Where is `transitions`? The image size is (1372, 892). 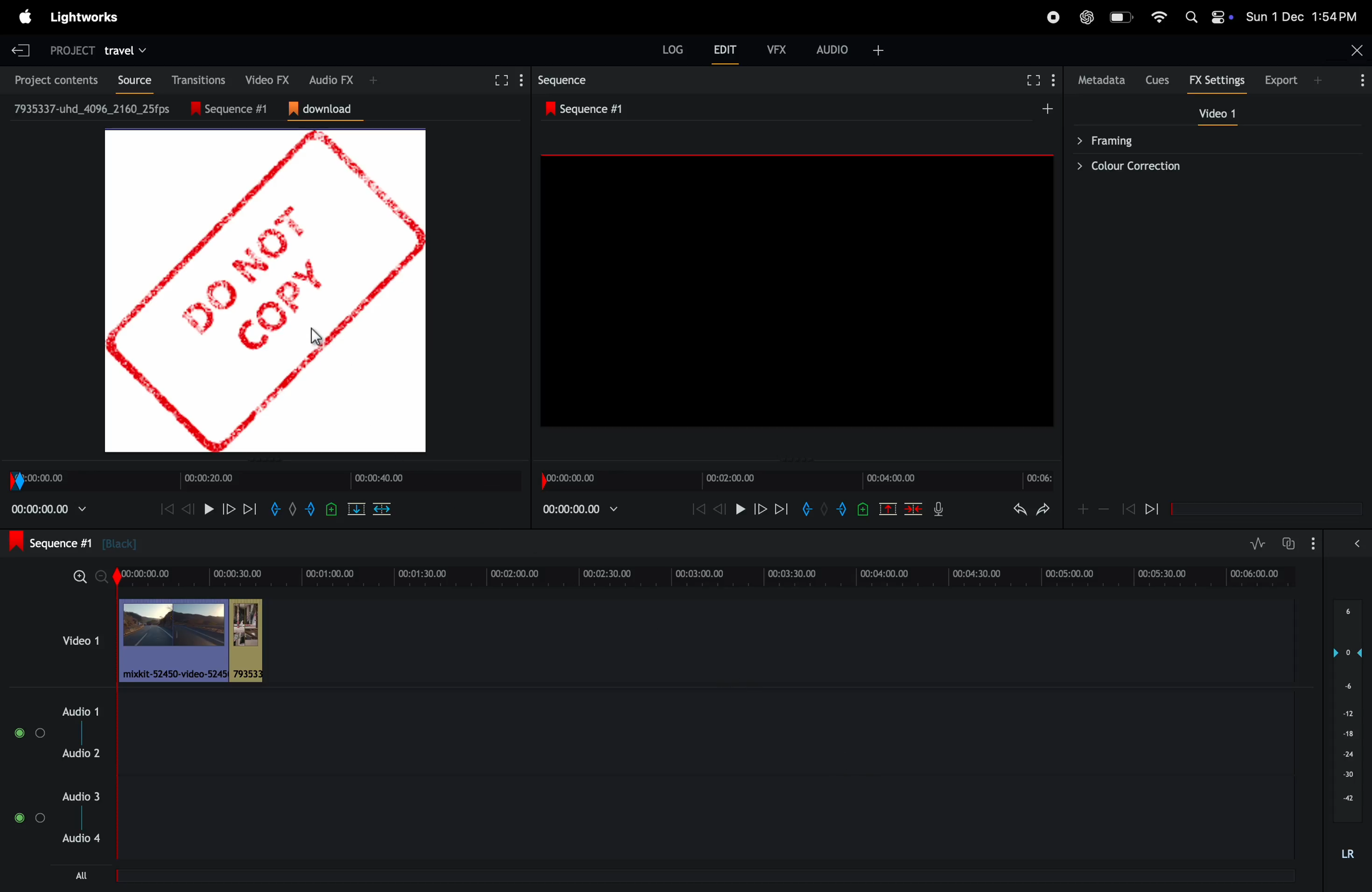 transitions is located at coordinates (195, 80).